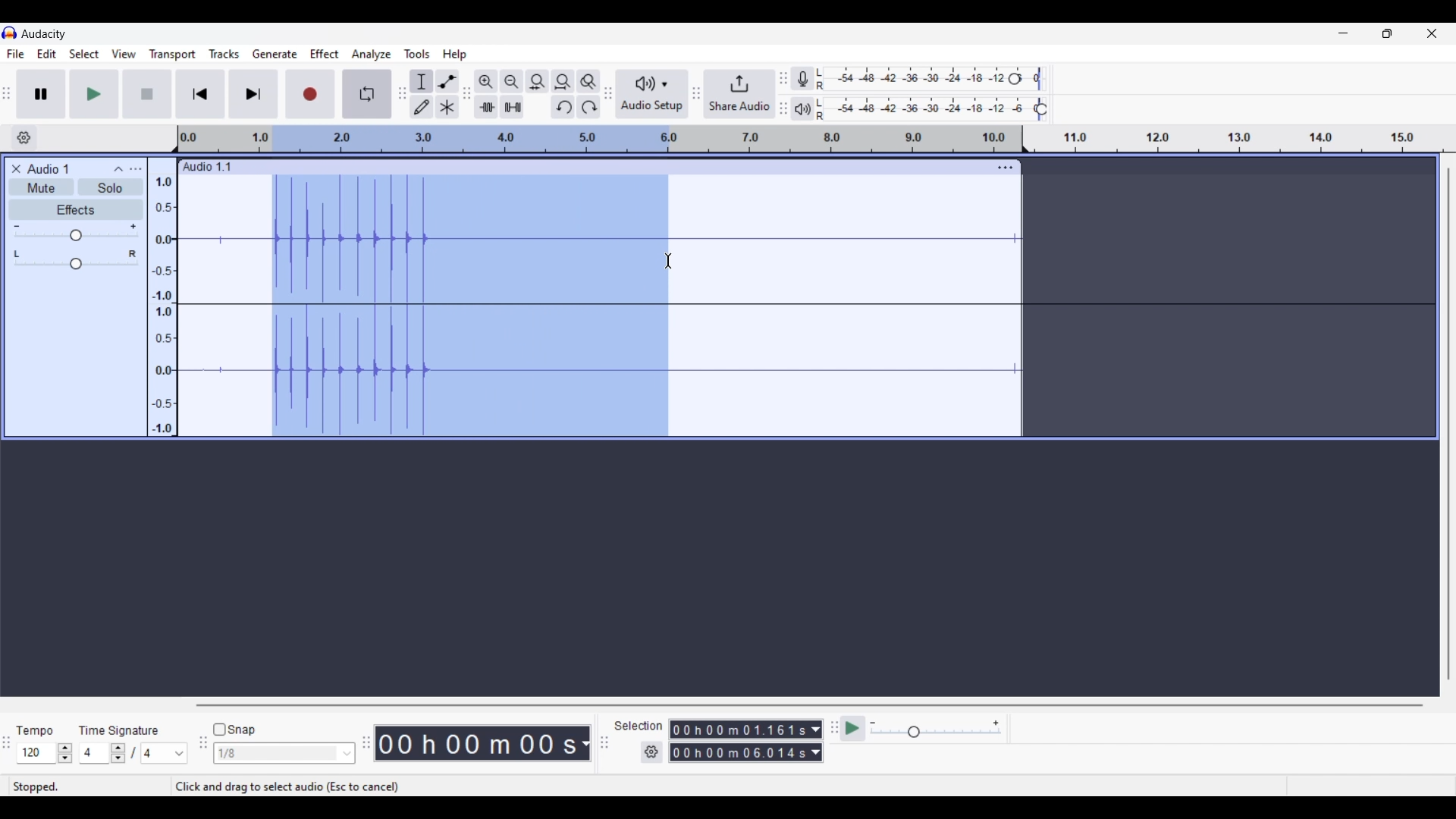  I want to click on Increase/Decrease tempo, so click(64, 754).